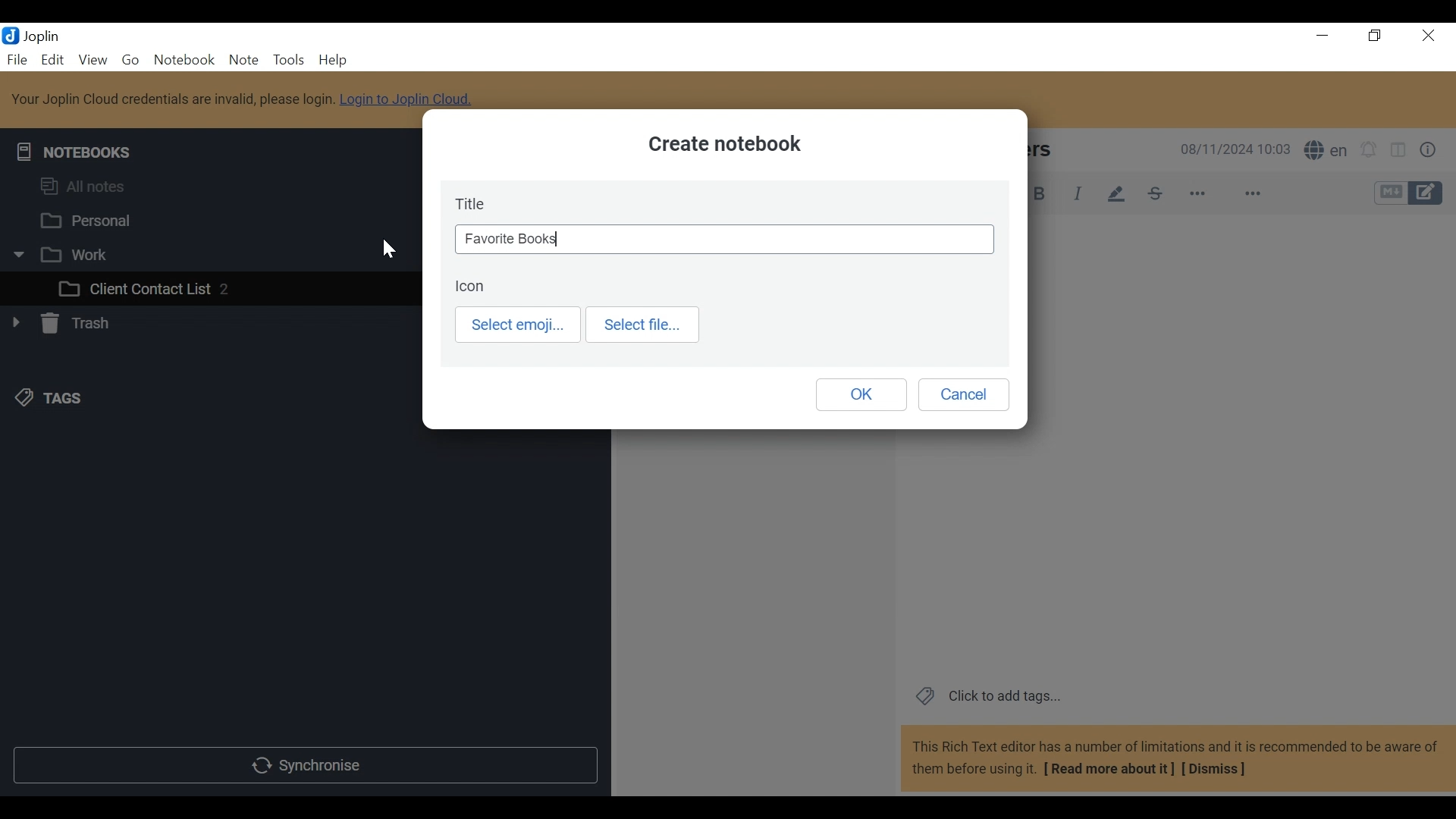 The height and width of the screenshot is (819, 1456). Describe the element at coordinates (863, 395) in the screenshot. I see `OK` at that location.